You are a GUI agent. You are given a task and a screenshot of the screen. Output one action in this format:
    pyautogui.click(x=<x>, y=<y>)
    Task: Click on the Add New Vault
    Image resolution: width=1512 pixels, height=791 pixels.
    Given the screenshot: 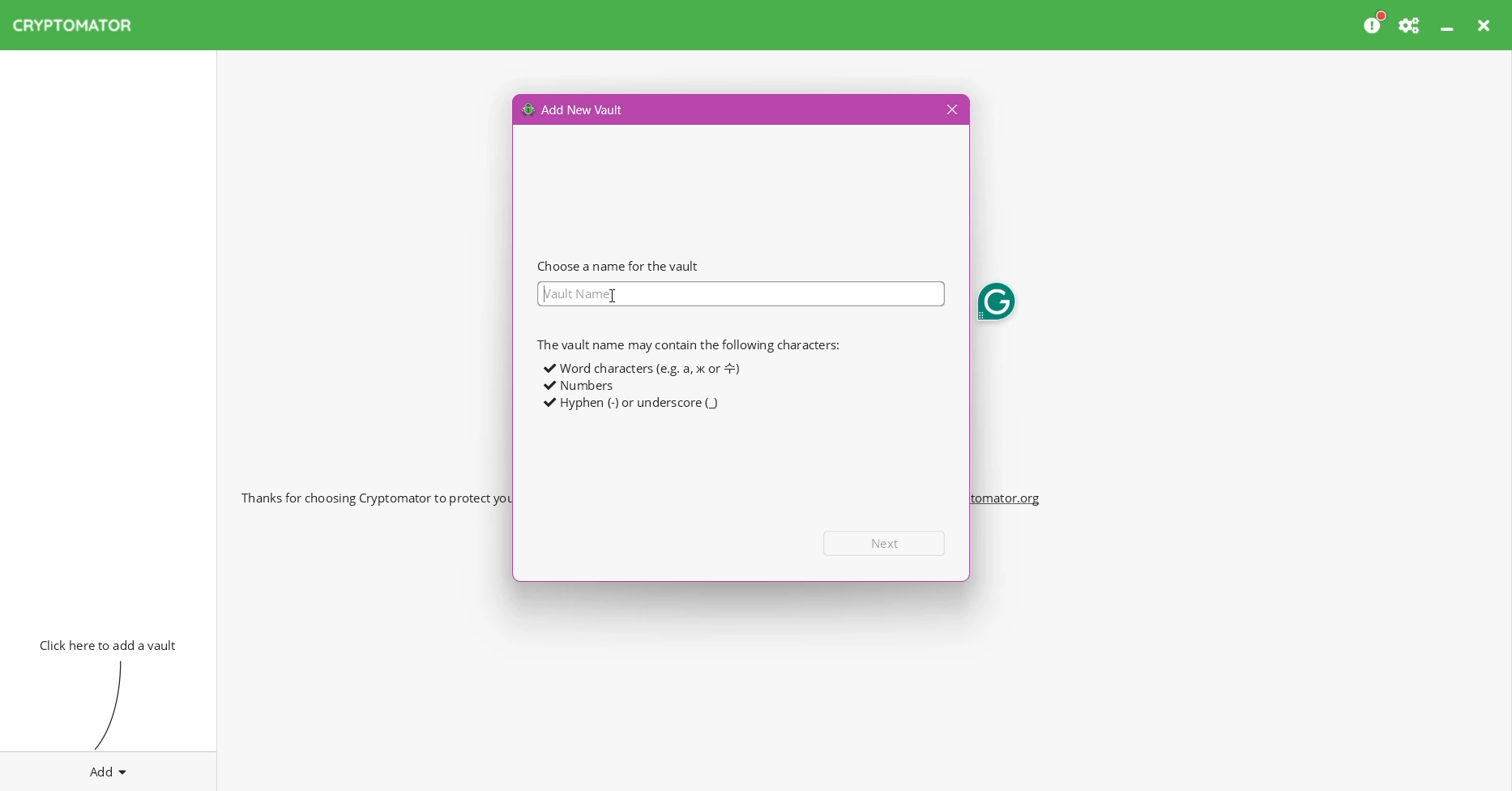 What is the action you would take?
    pyautogui.click(x=574, y=109)
    